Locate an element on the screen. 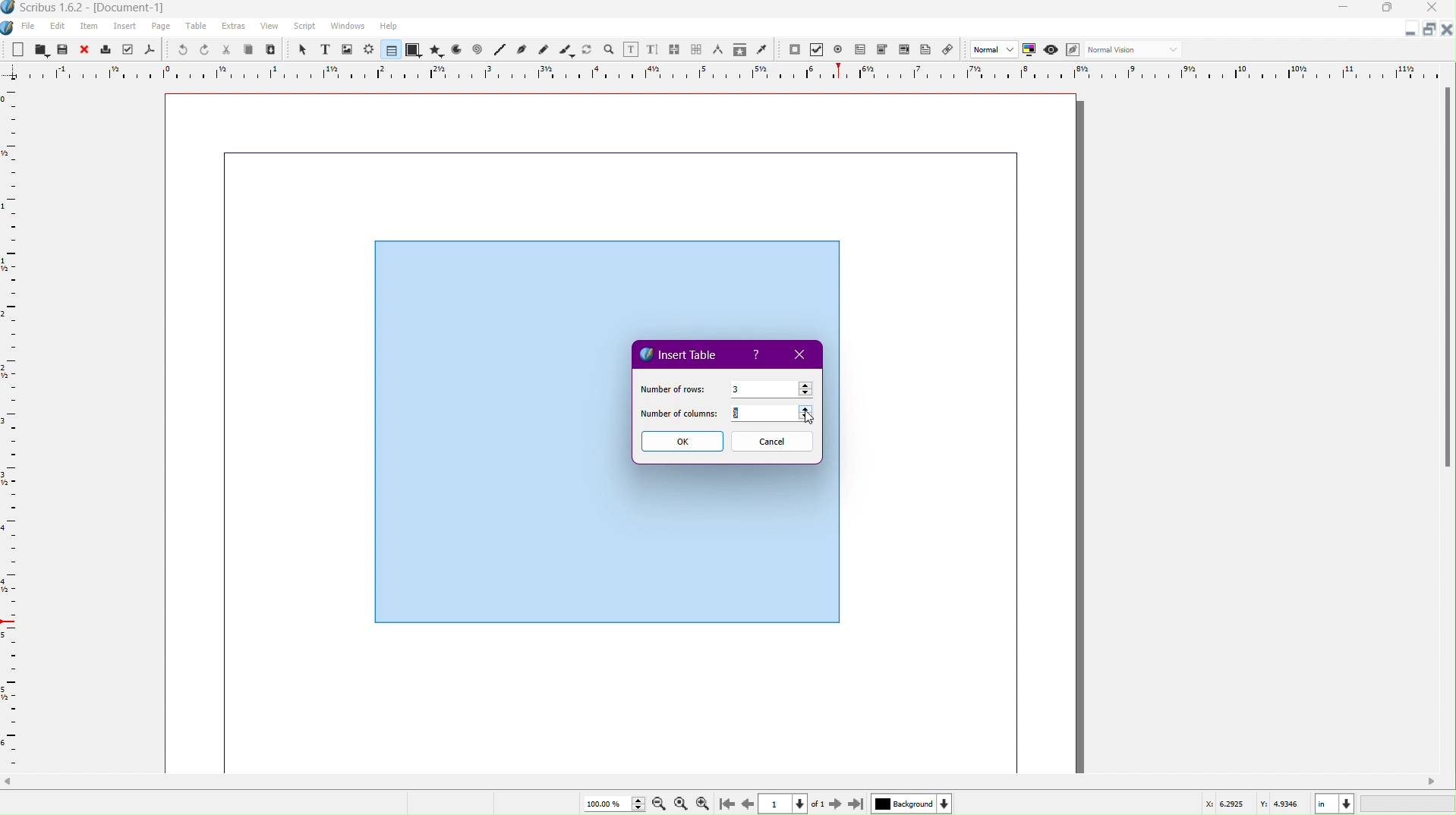 The width and height of the screenshot is (1456, 815). Next Page is located at coordinates (833, 803).